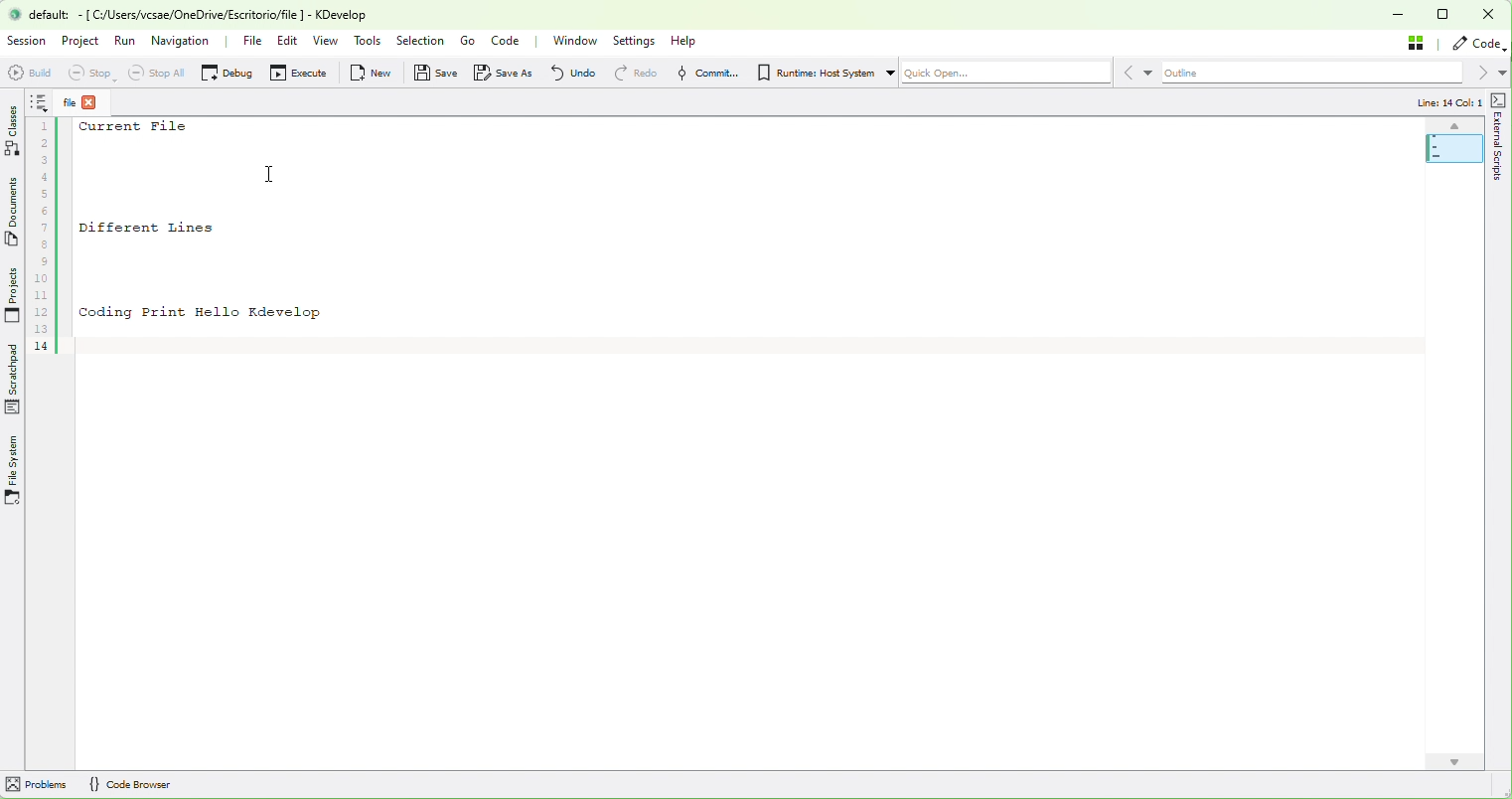 This screenshot has width=1512, height=799. Describe the element at coordinates (28, 41) in the screenshot. I see `Session` at that location.